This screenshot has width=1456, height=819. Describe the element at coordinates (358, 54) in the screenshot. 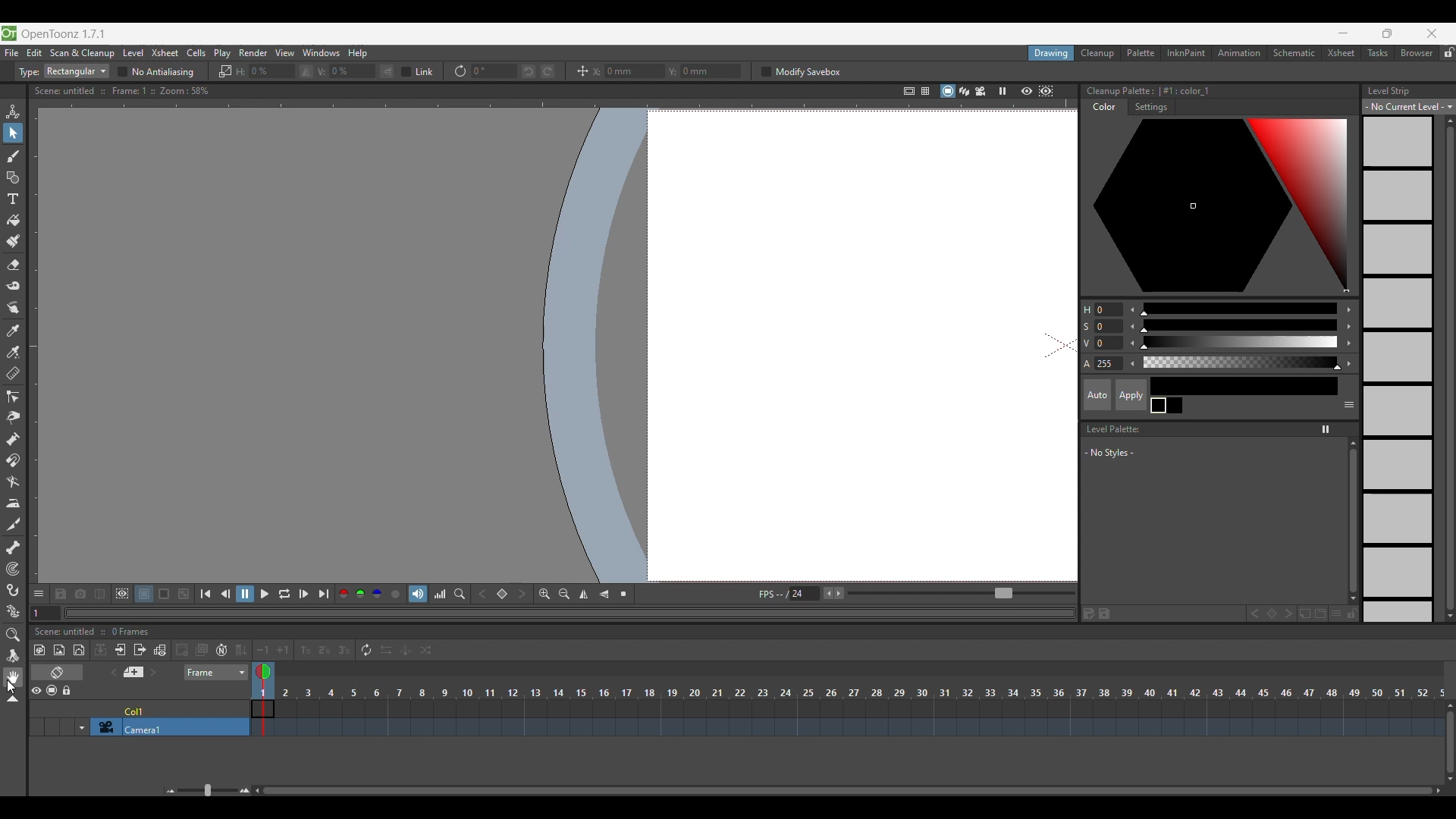

I see `Help` at that location.